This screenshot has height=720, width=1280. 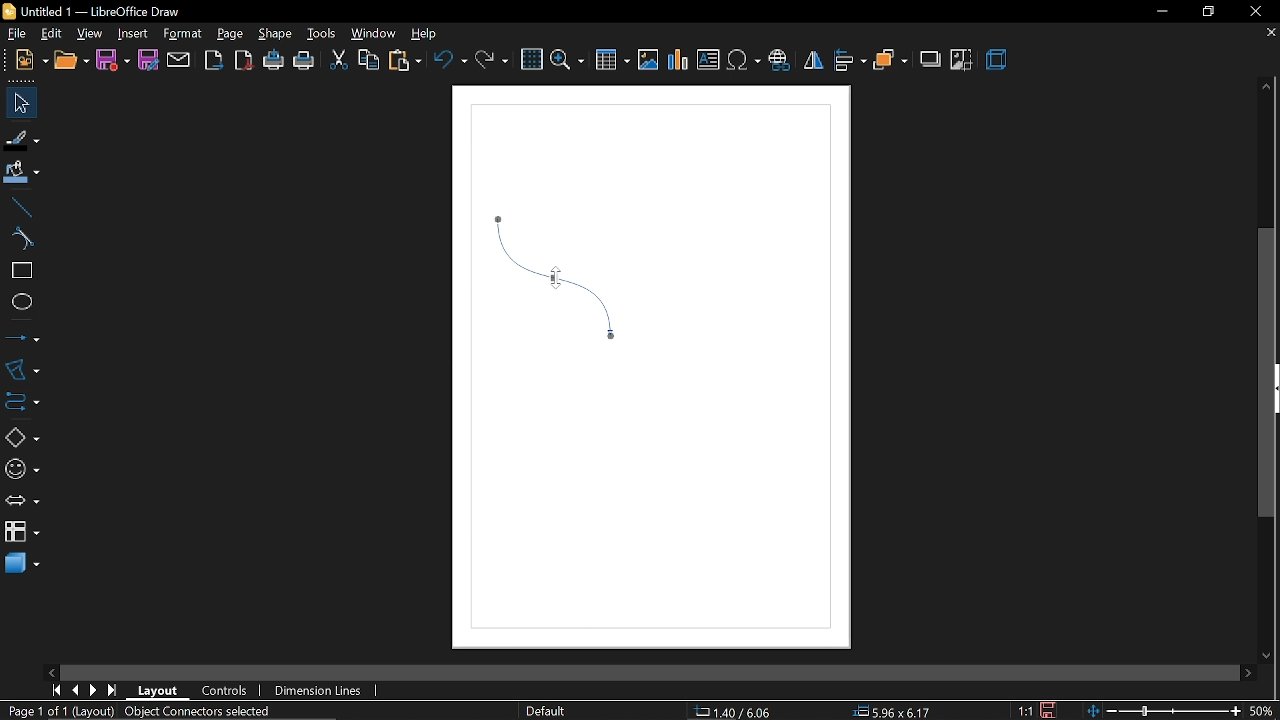 What do you see at coordinates (244, 62) in the screenshot?
I see `export as pdf` at bounding box center [244, 62].